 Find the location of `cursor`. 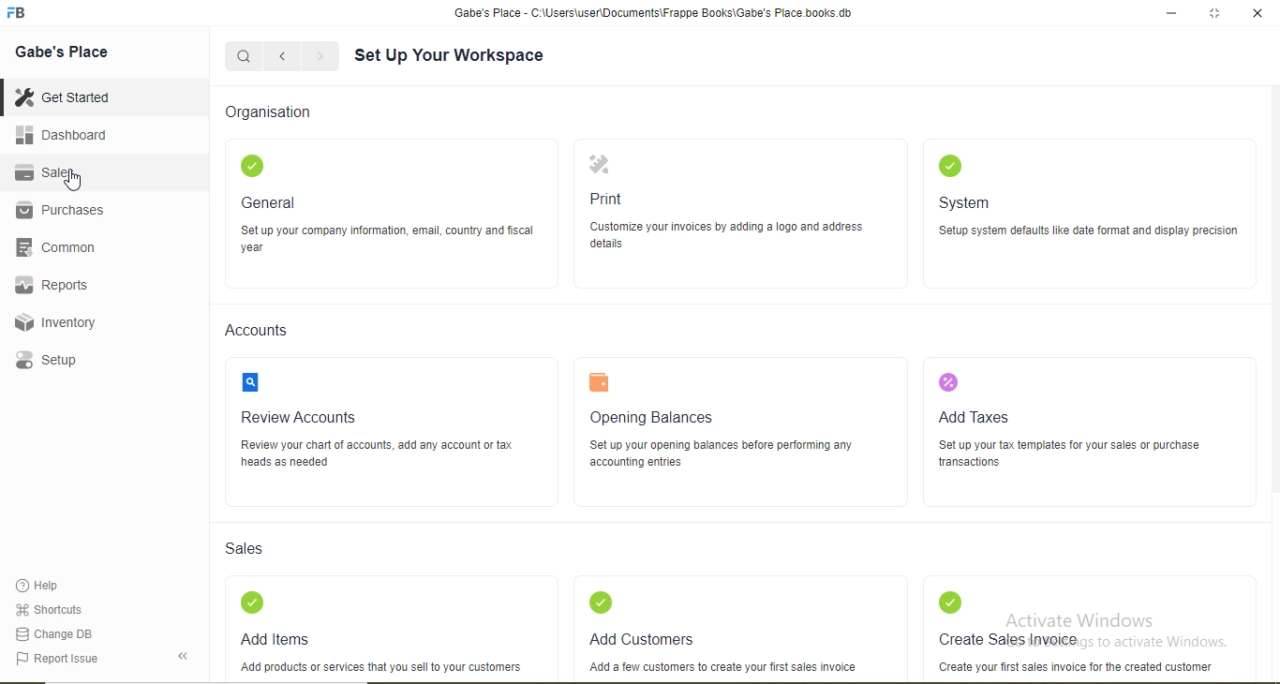

cursor is located at coordinates (73, 184).